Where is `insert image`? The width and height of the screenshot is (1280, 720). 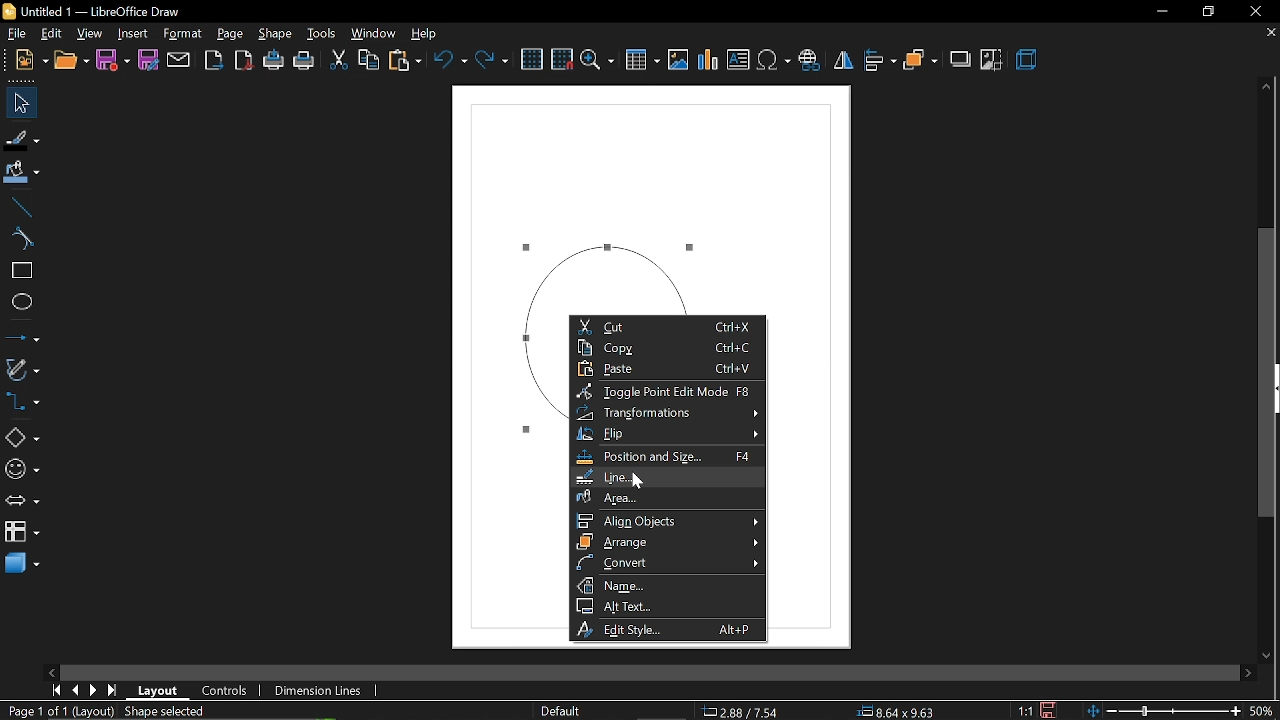
insert image is located at coordinates (679, 61).